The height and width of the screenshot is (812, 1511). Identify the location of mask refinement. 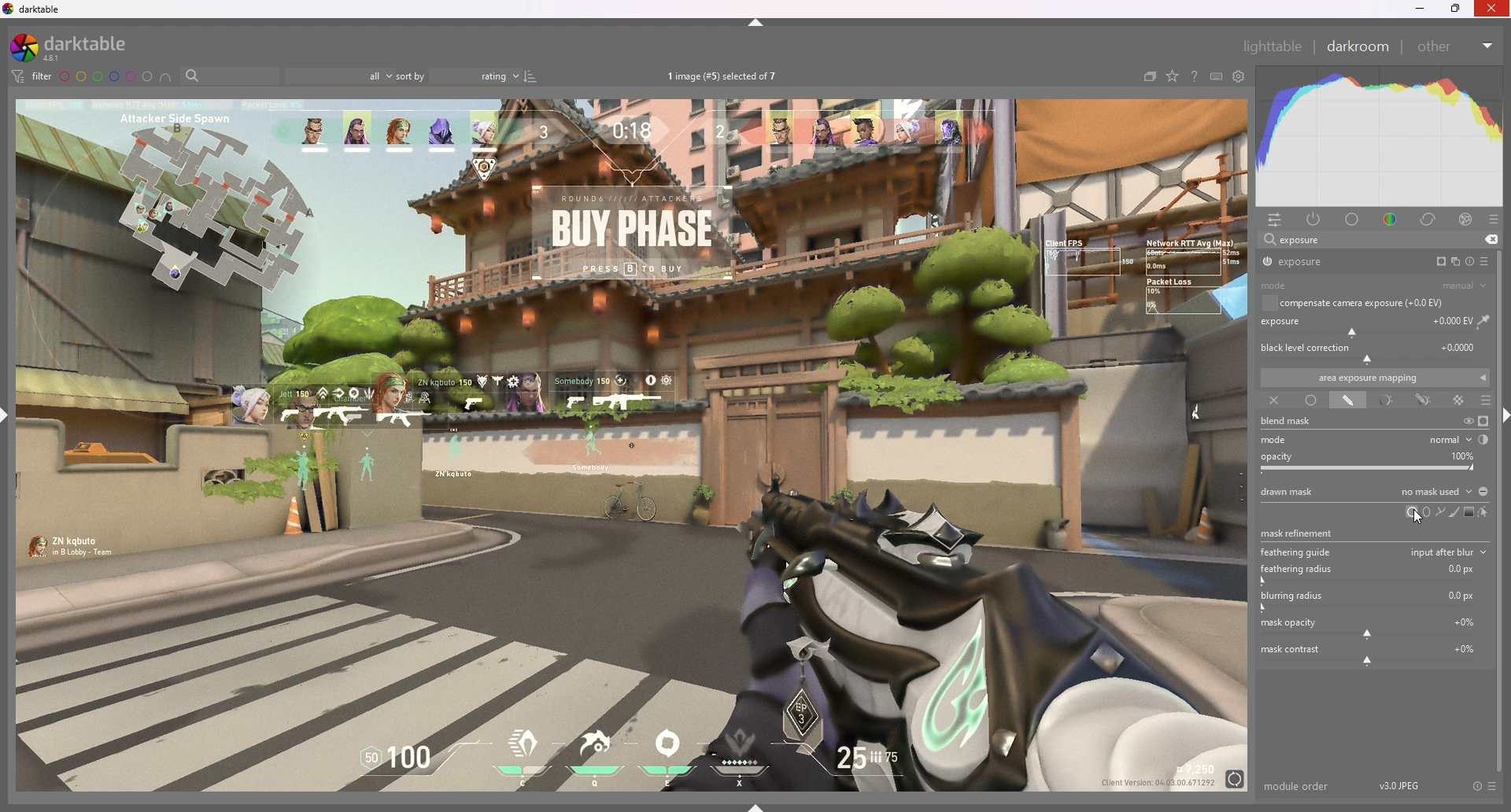
(1300, 531).